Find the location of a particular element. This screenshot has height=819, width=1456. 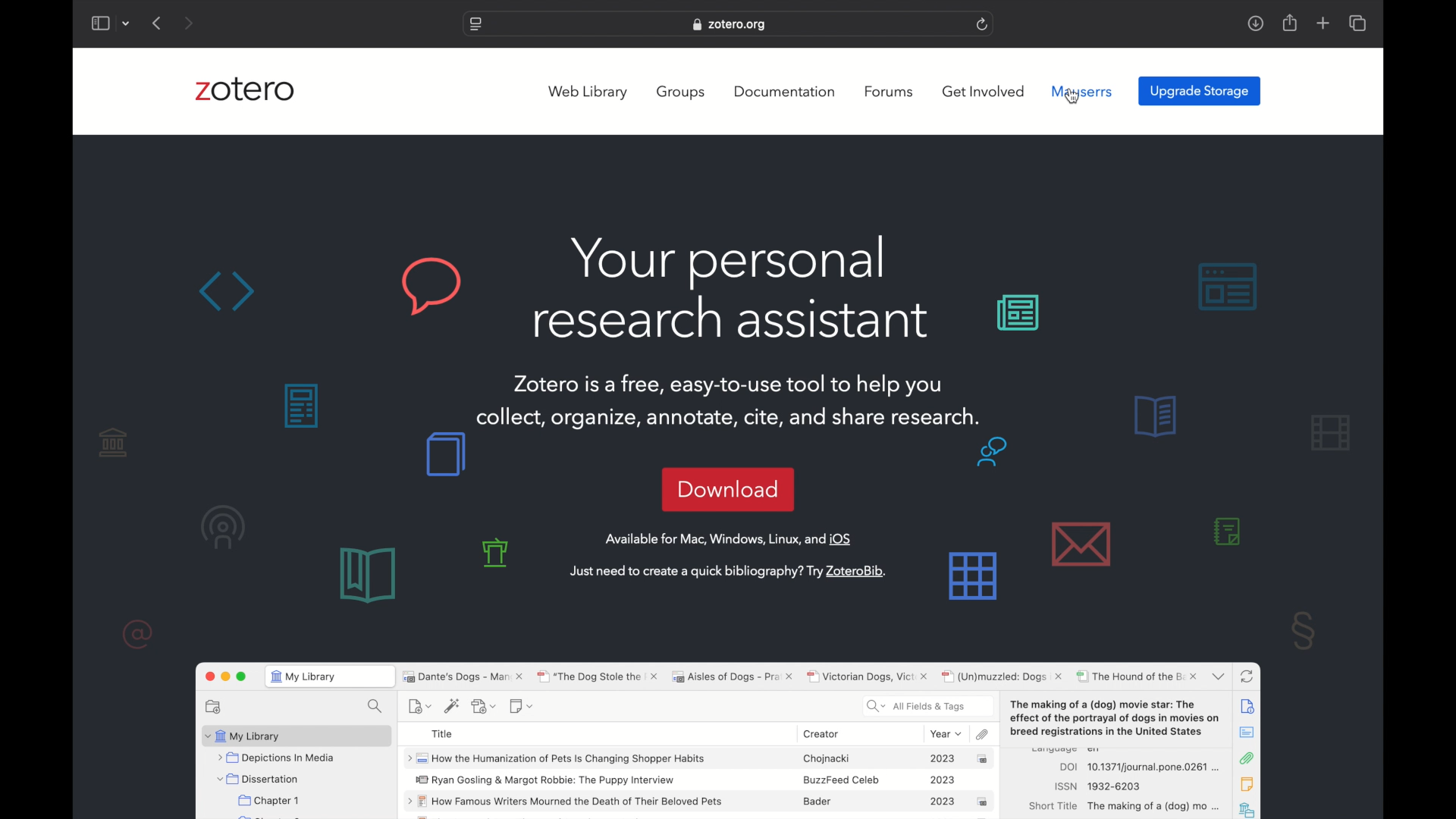

website address is located at coordinates (730, 25).